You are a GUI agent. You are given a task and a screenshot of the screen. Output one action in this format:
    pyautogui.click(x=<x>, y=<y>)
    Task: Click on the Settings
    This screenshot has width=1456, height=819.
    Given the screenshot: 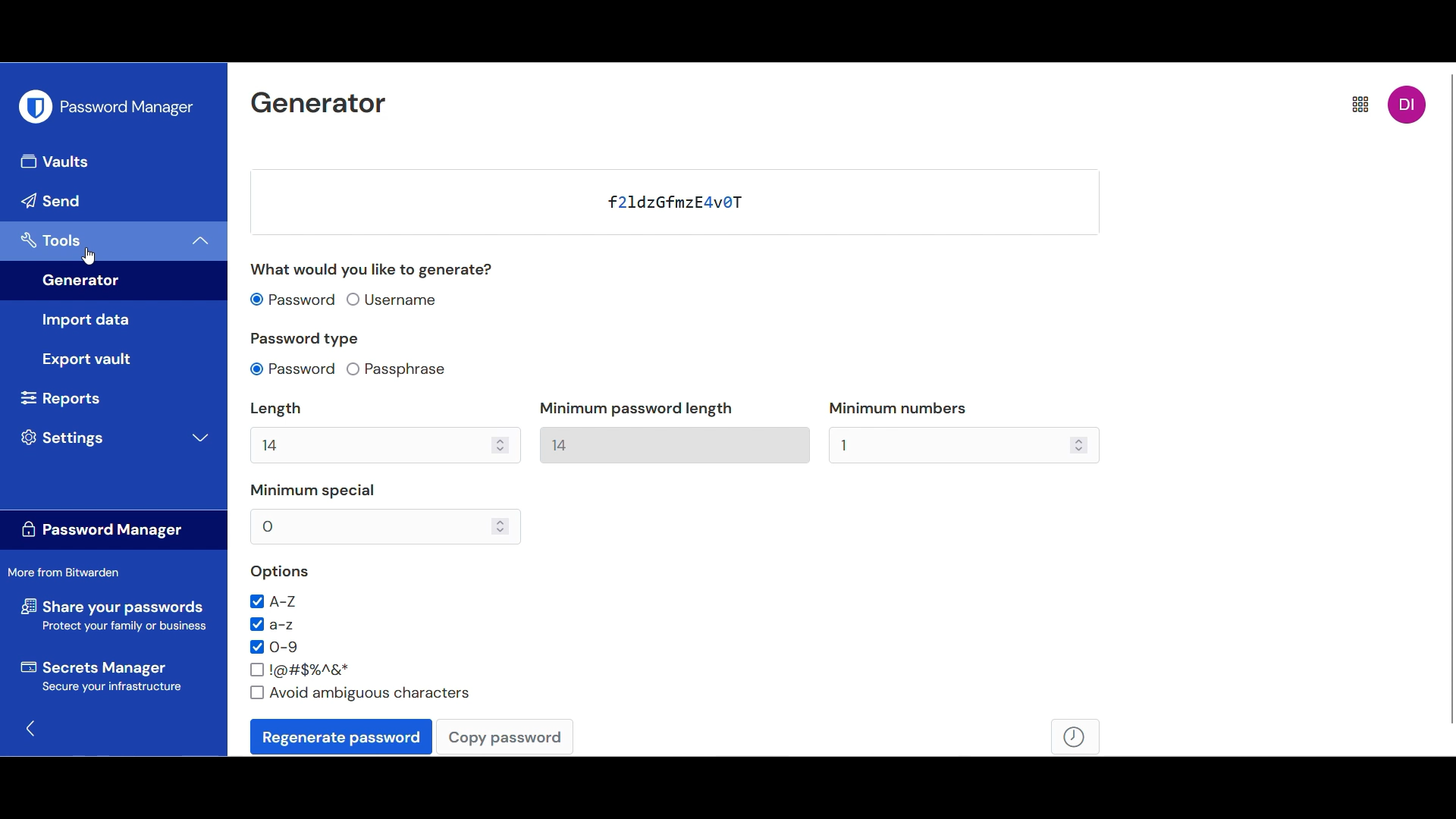 What is the action you would take?
    pyautogui.click(x=115, y=438)
    